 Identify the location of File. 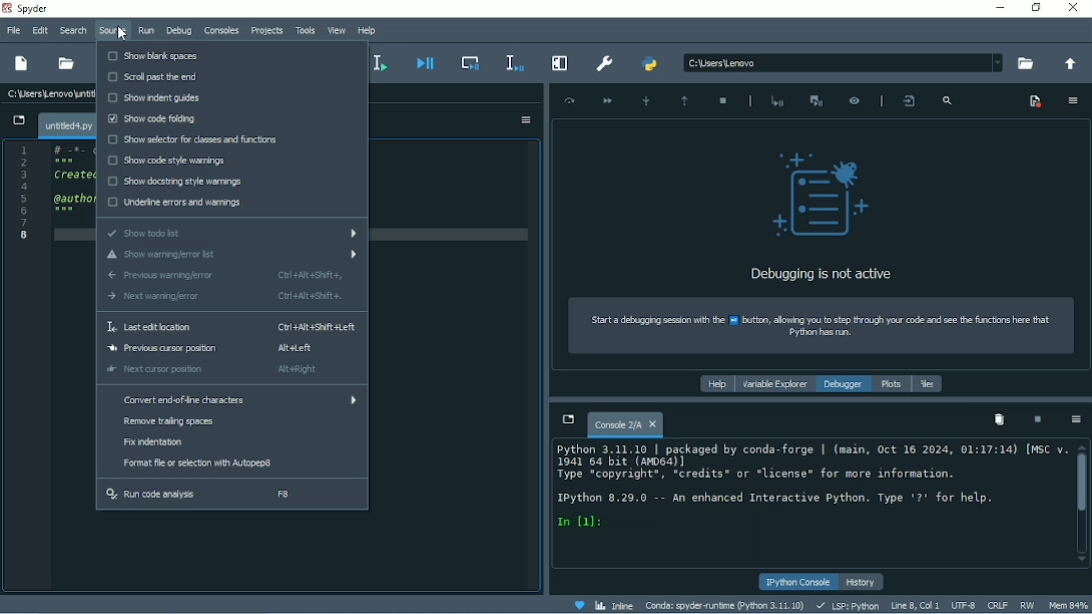
(14, 30).